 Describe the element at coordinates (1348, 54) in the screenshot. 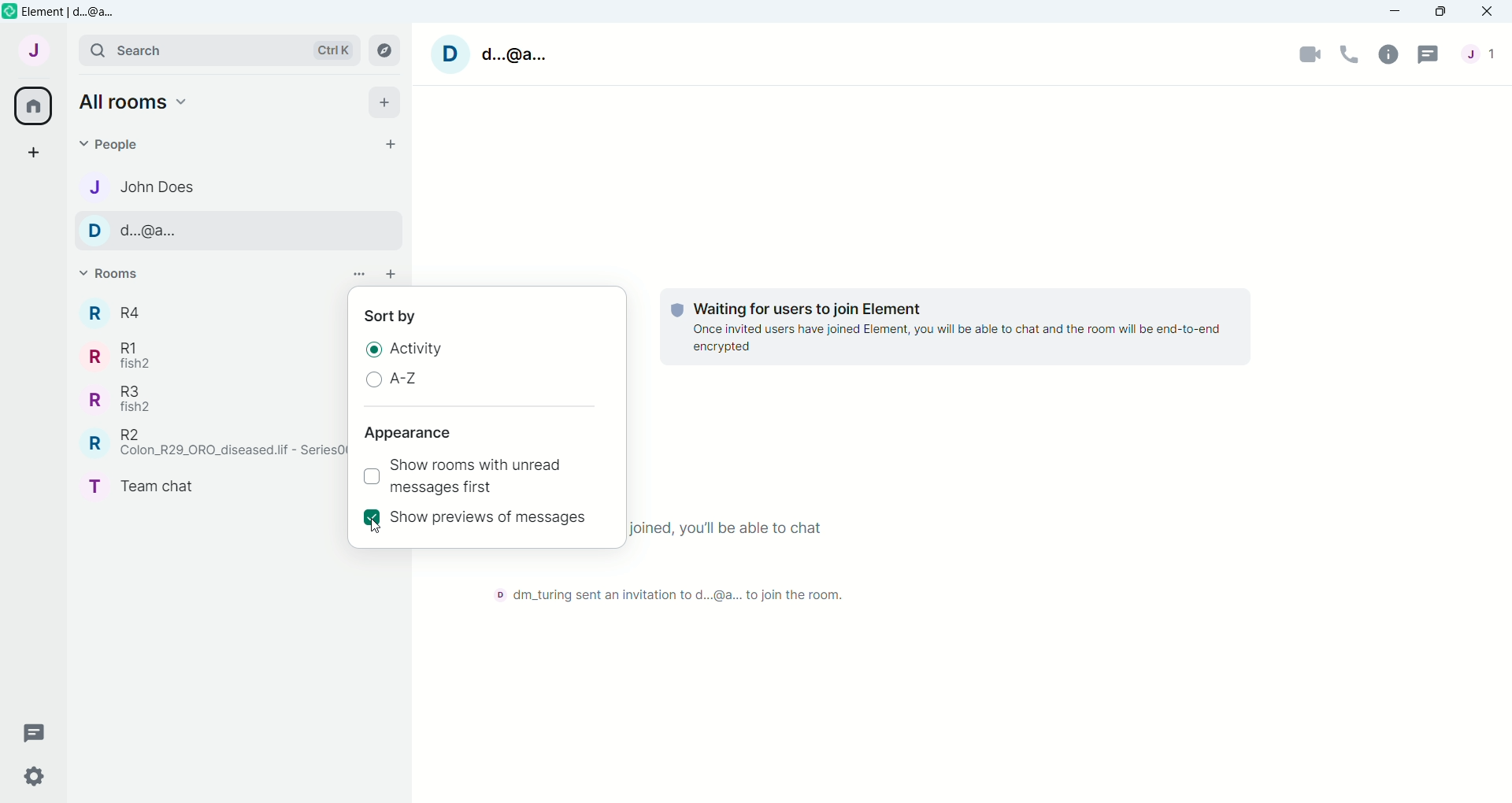

I see `Voice call` at that location.